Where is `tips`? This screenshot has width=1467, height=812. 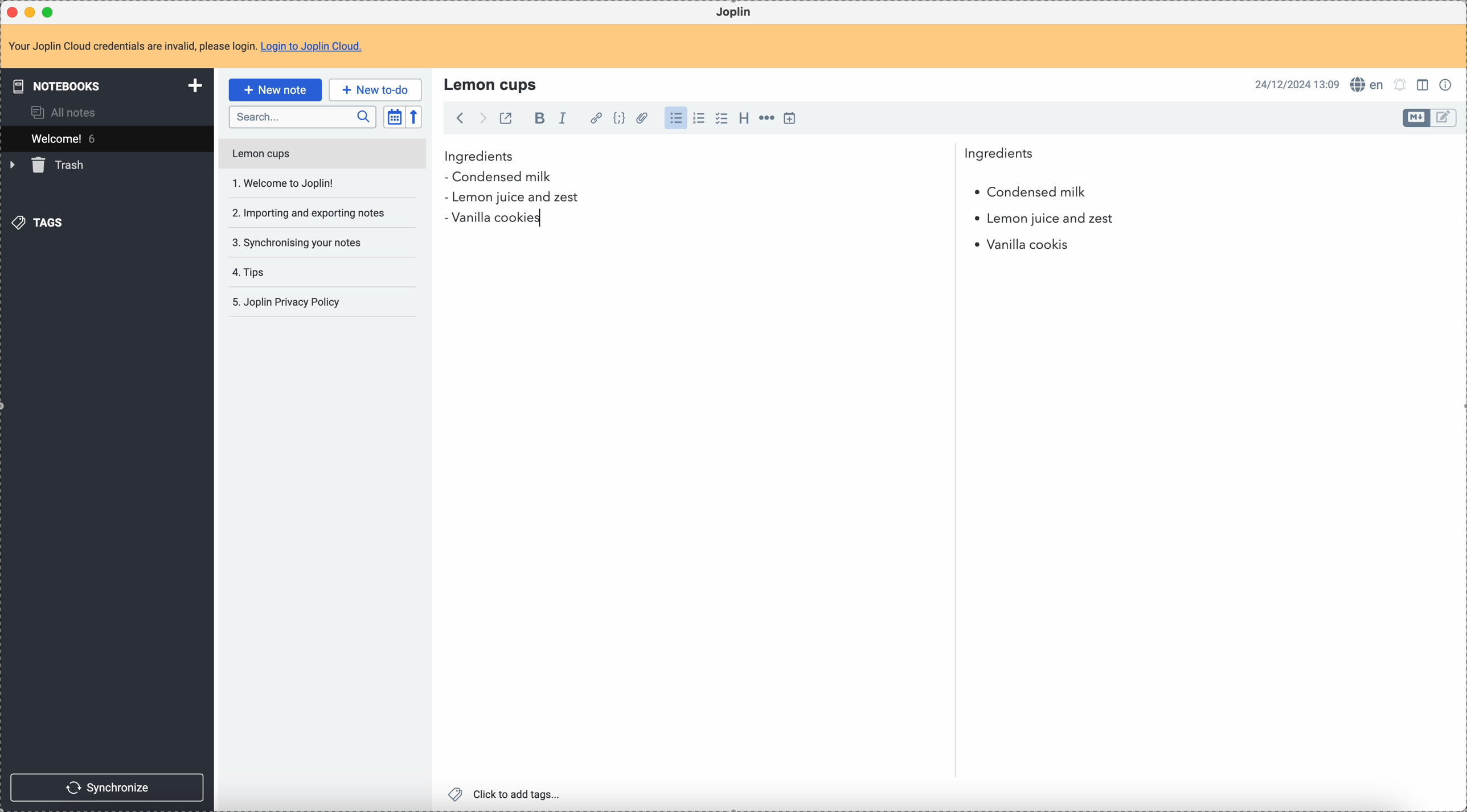
tips is located at coordinates (251, 273).